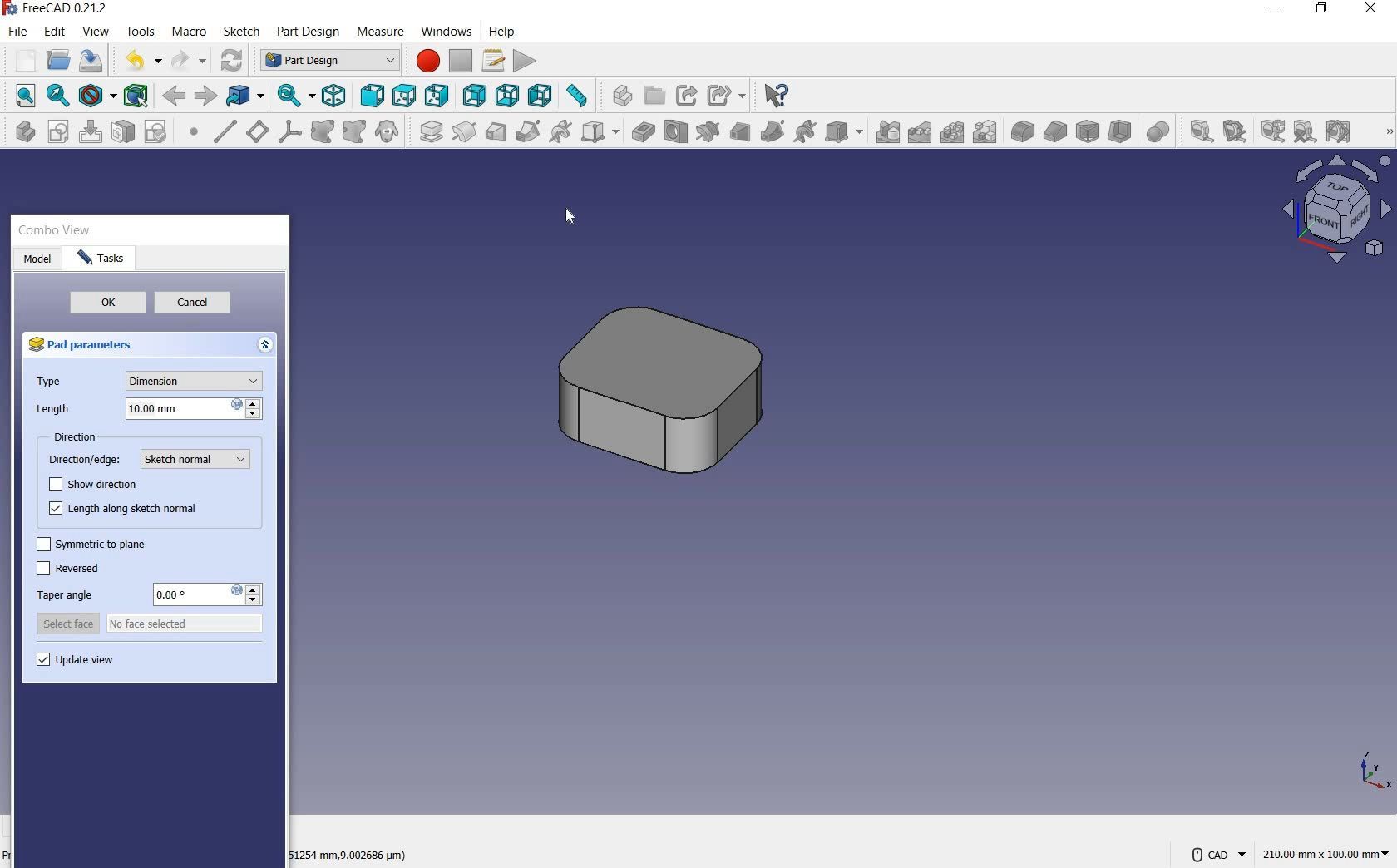 This screenshot has height=868, width=1397. Describe the element at coordinates (149, 381) in the screenshot. I see `type` at that location.